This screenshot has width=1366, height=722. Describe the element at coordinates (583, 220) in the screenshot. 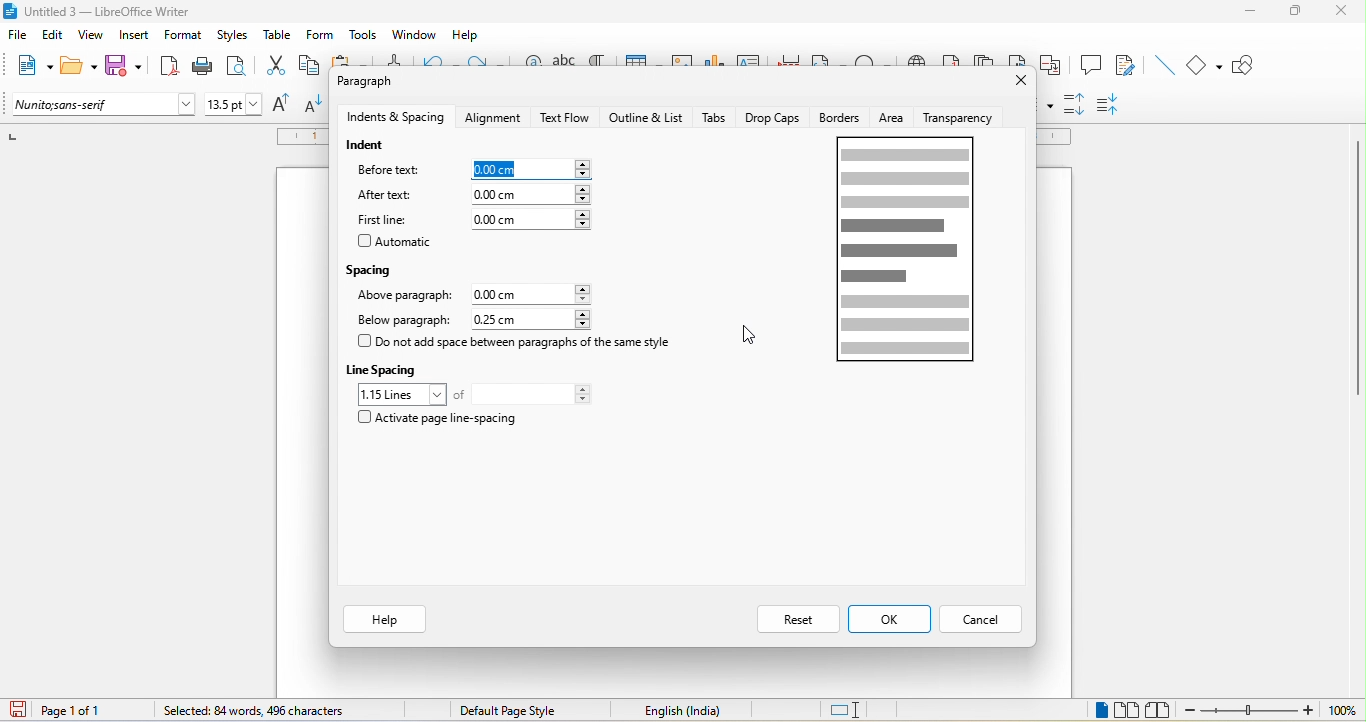

I see `increase or decrease` at that location.